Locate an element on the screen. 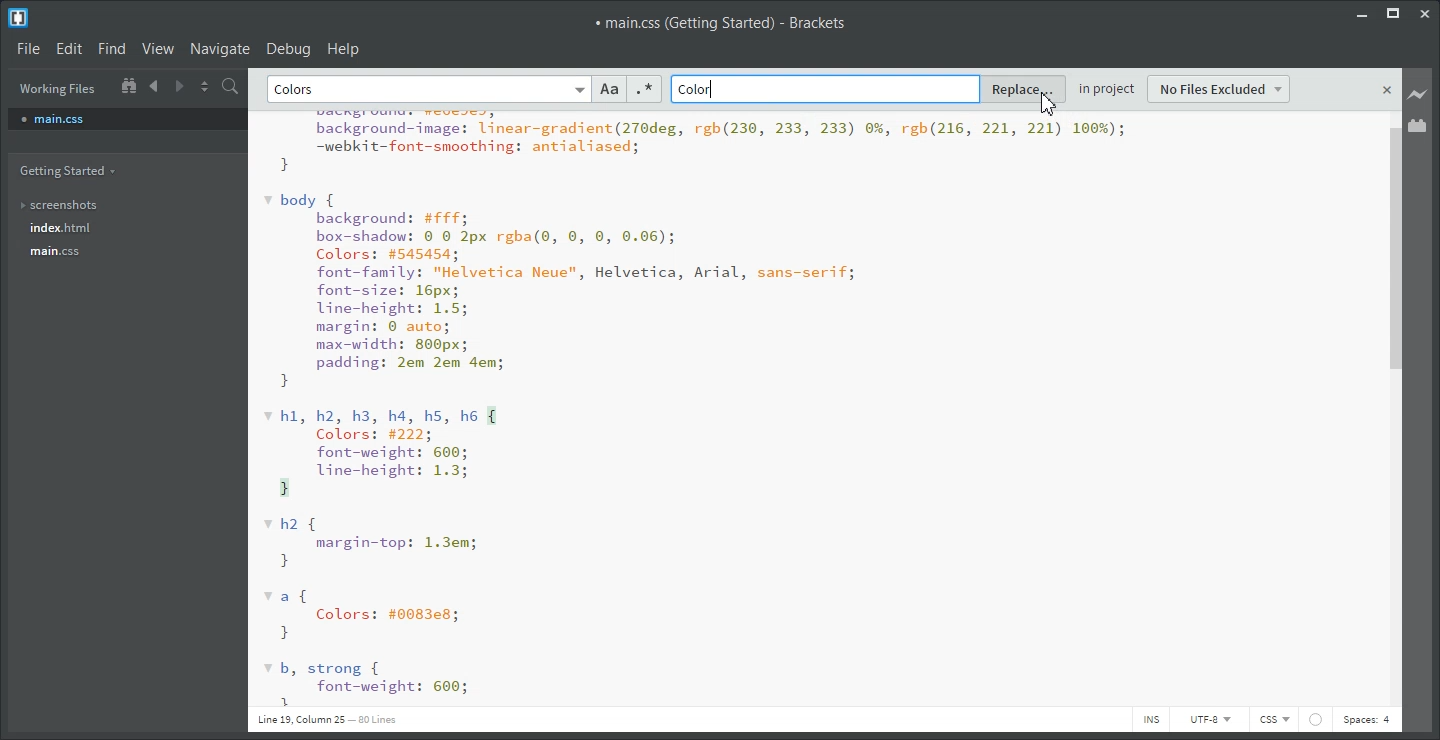 This screenshot has width=1440, height=740. dropdown is located at coordinates (577, 89).